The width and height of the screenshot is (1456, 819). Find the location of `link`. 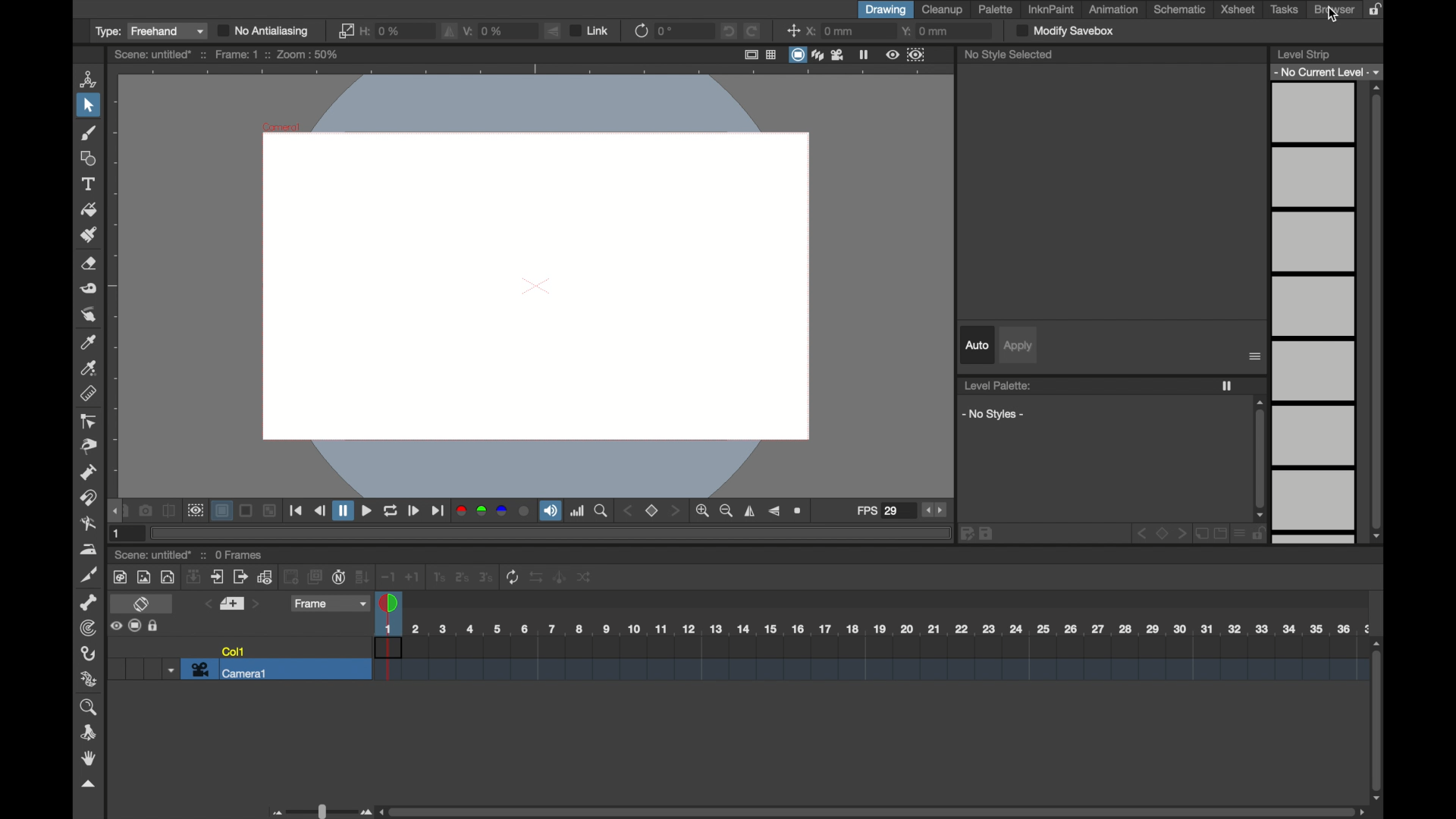

link is located at coordinates (591, 30).